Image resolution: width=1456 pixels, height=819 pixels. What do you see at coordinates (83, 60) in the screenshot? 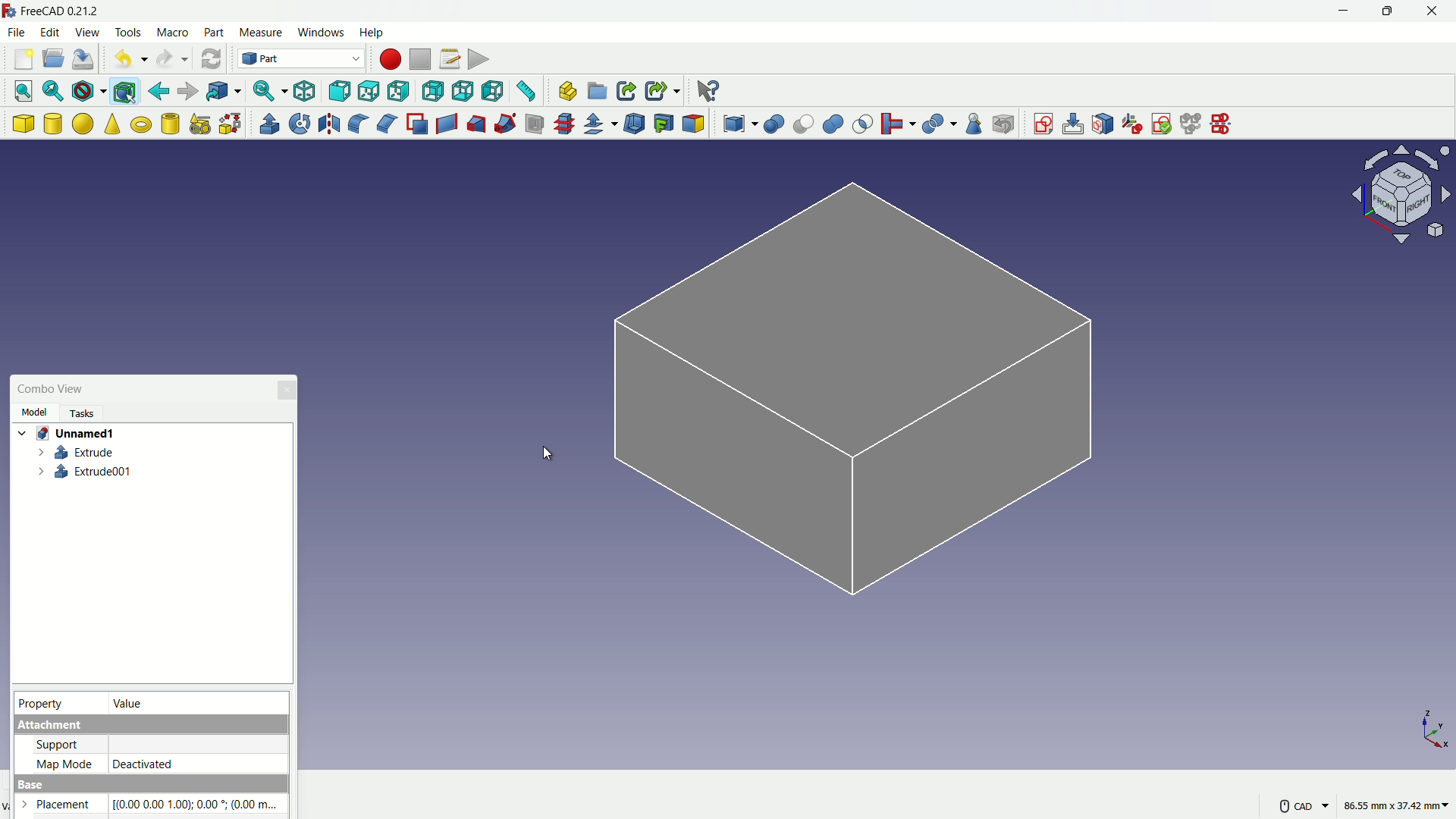
I see `save file` at bounding box center [83, 60].